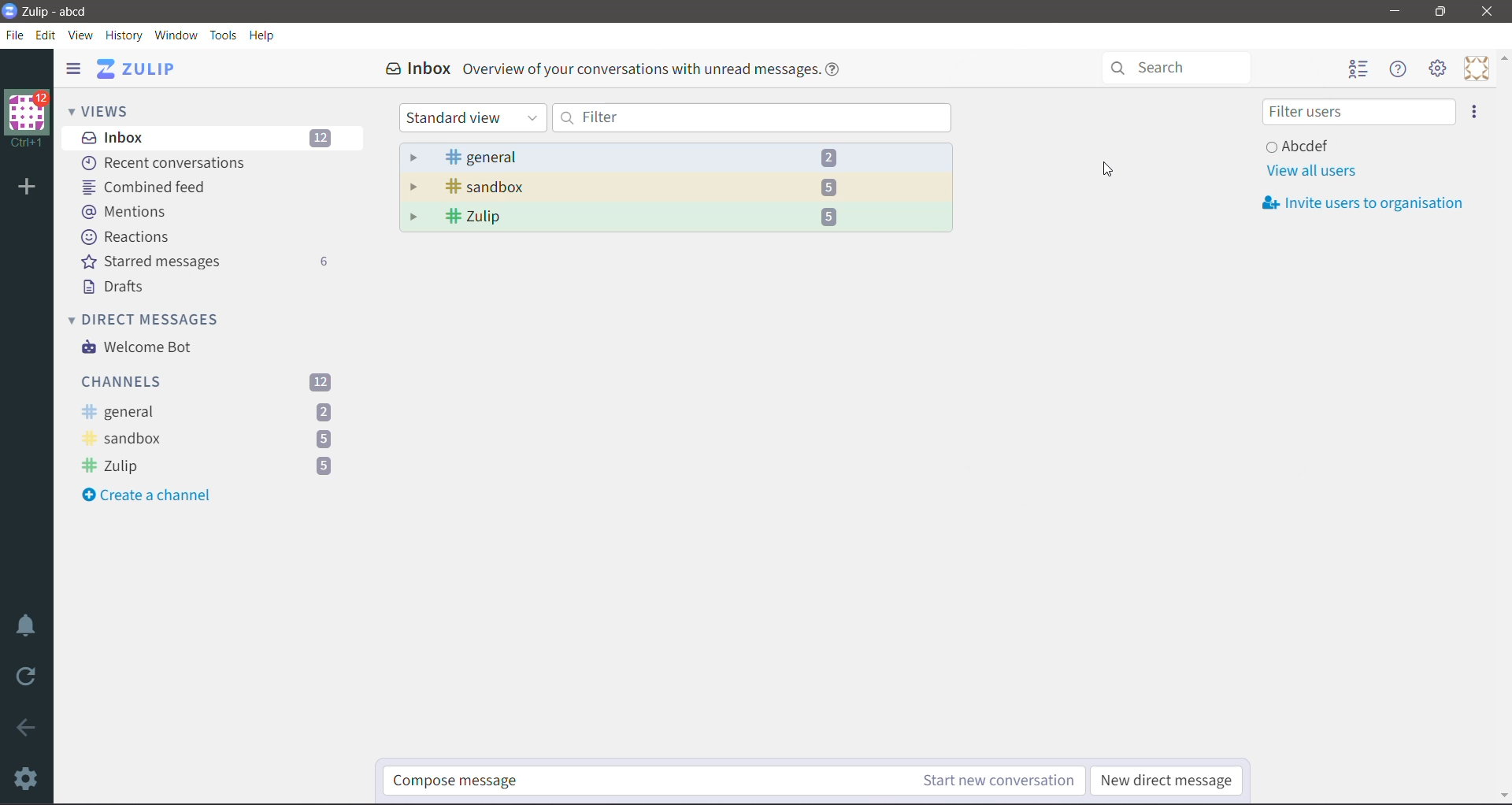 This screenshot has height=805, width=1512. I want to click on Application name ( ZULIP), so click(143, 69).